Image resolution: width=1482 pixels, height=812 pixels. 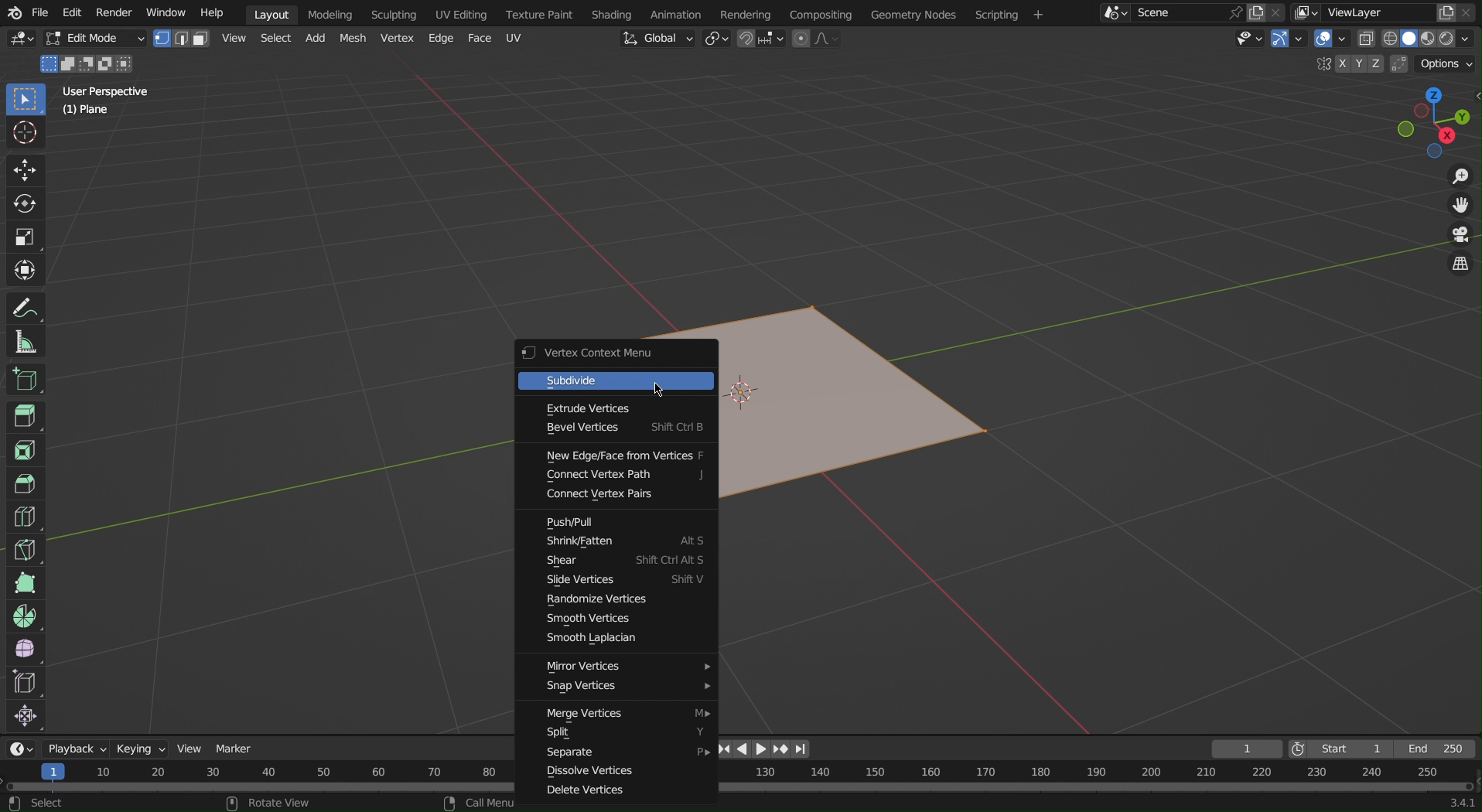 I want to click on Proportional Editing, so click(x=814, y=40).